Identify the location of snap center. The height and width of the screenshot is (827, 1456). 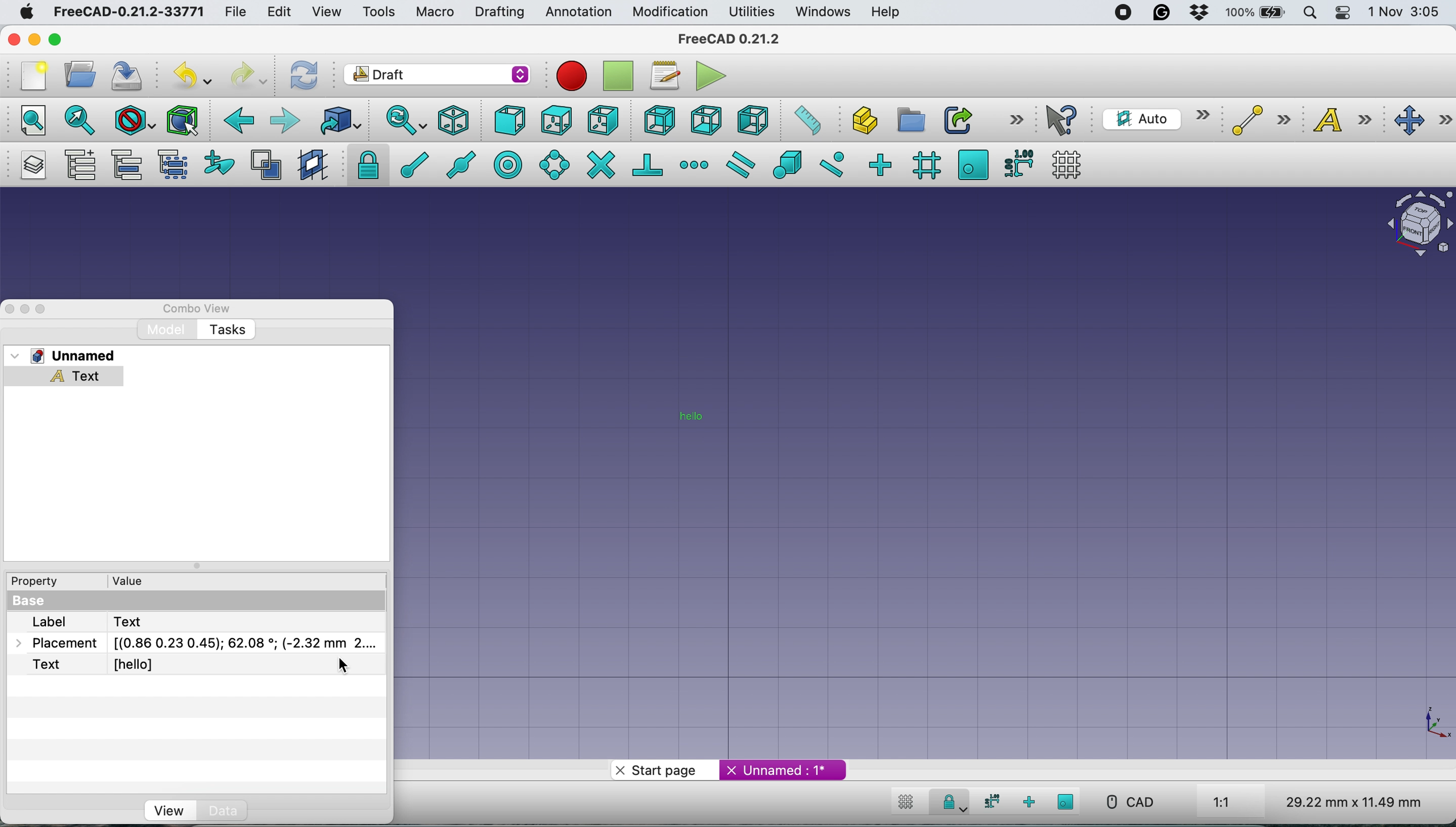
(506, 168).